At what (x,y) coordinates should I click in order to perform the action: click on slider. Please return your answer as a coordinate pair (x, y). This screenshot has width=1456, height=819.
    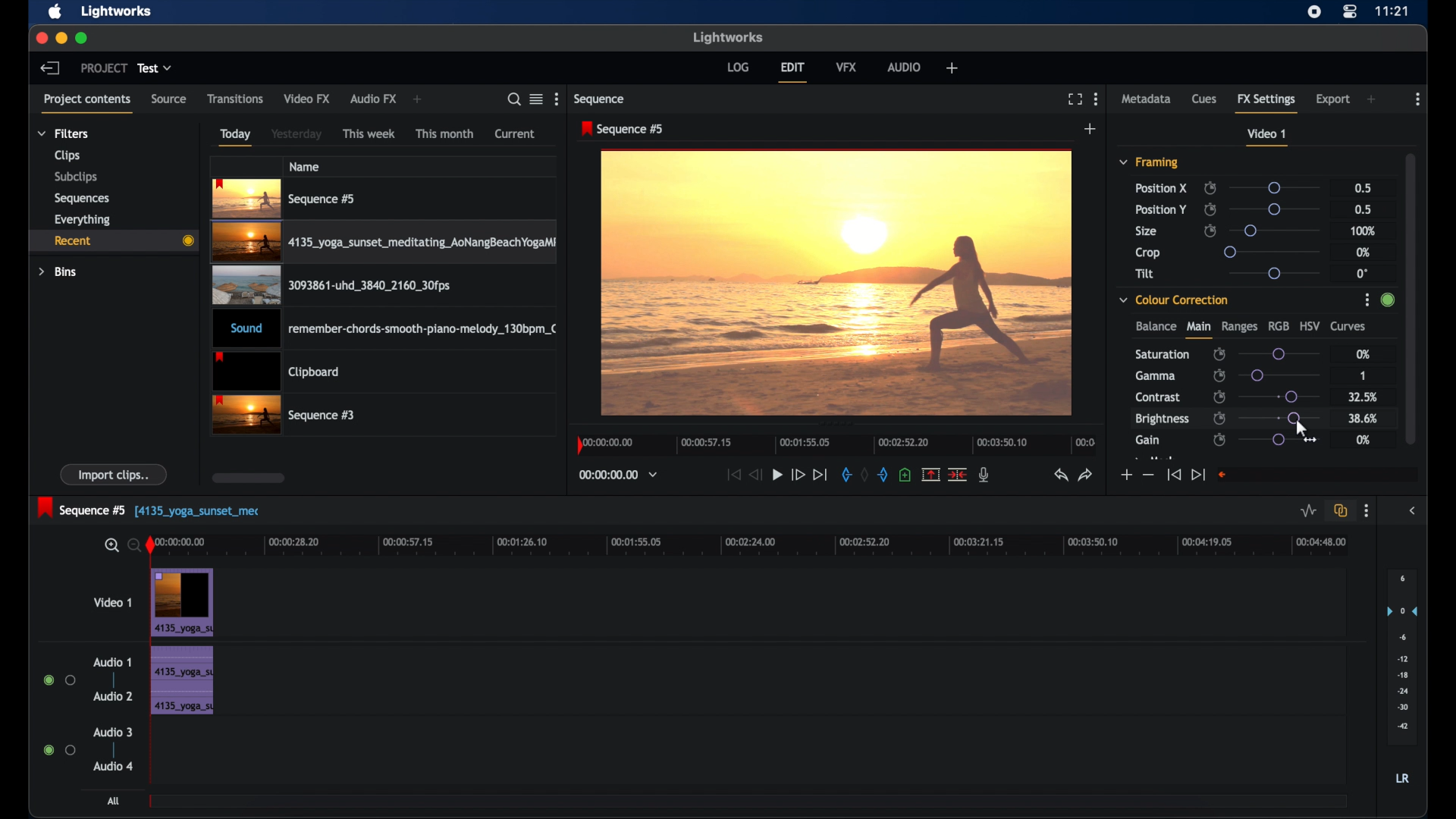
    Looking at the image, I should click on (1277, 230).